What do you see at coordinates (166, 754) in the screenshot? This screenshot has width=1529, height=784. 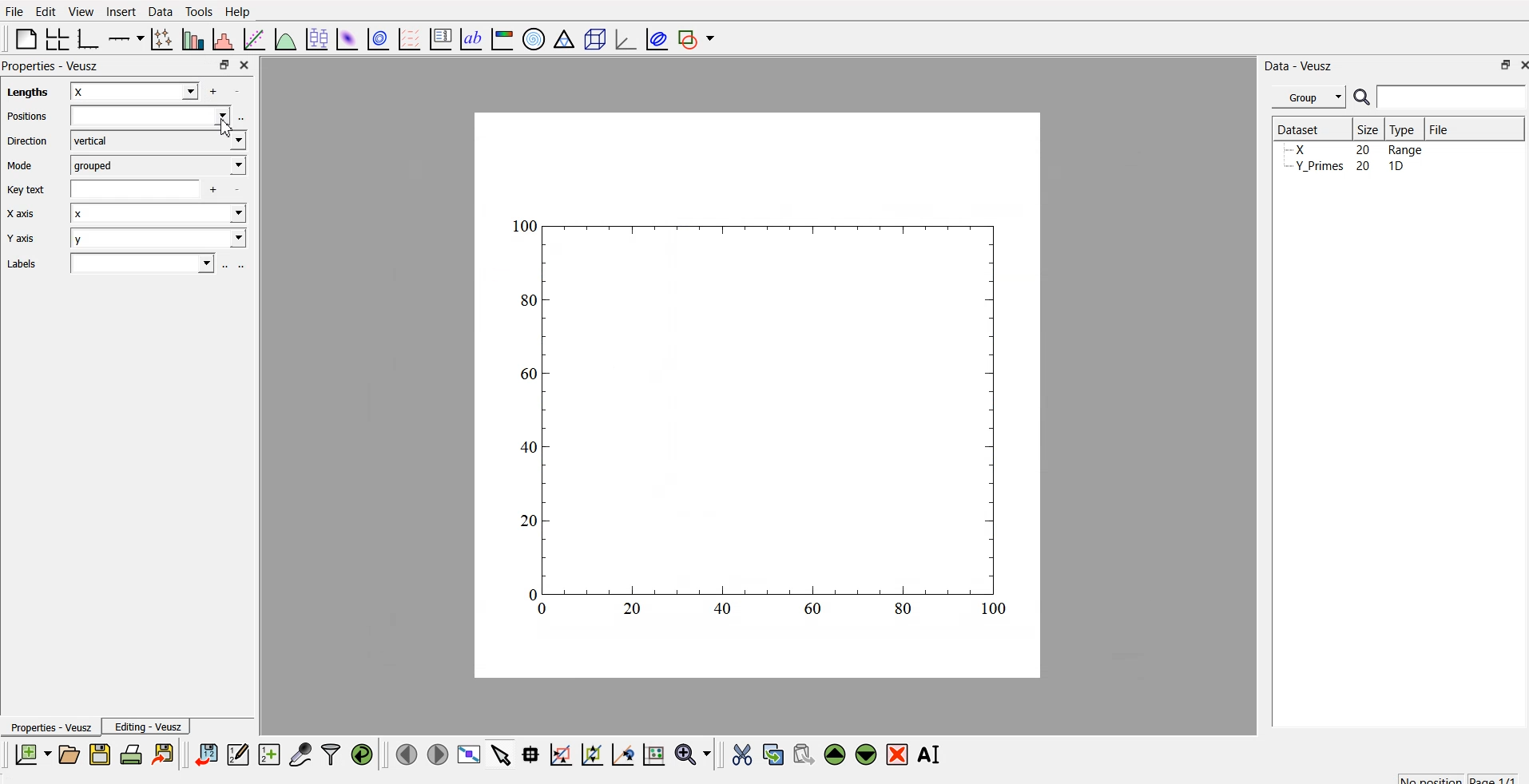 I see `export to graphics format` at bounding box center [166, 754].